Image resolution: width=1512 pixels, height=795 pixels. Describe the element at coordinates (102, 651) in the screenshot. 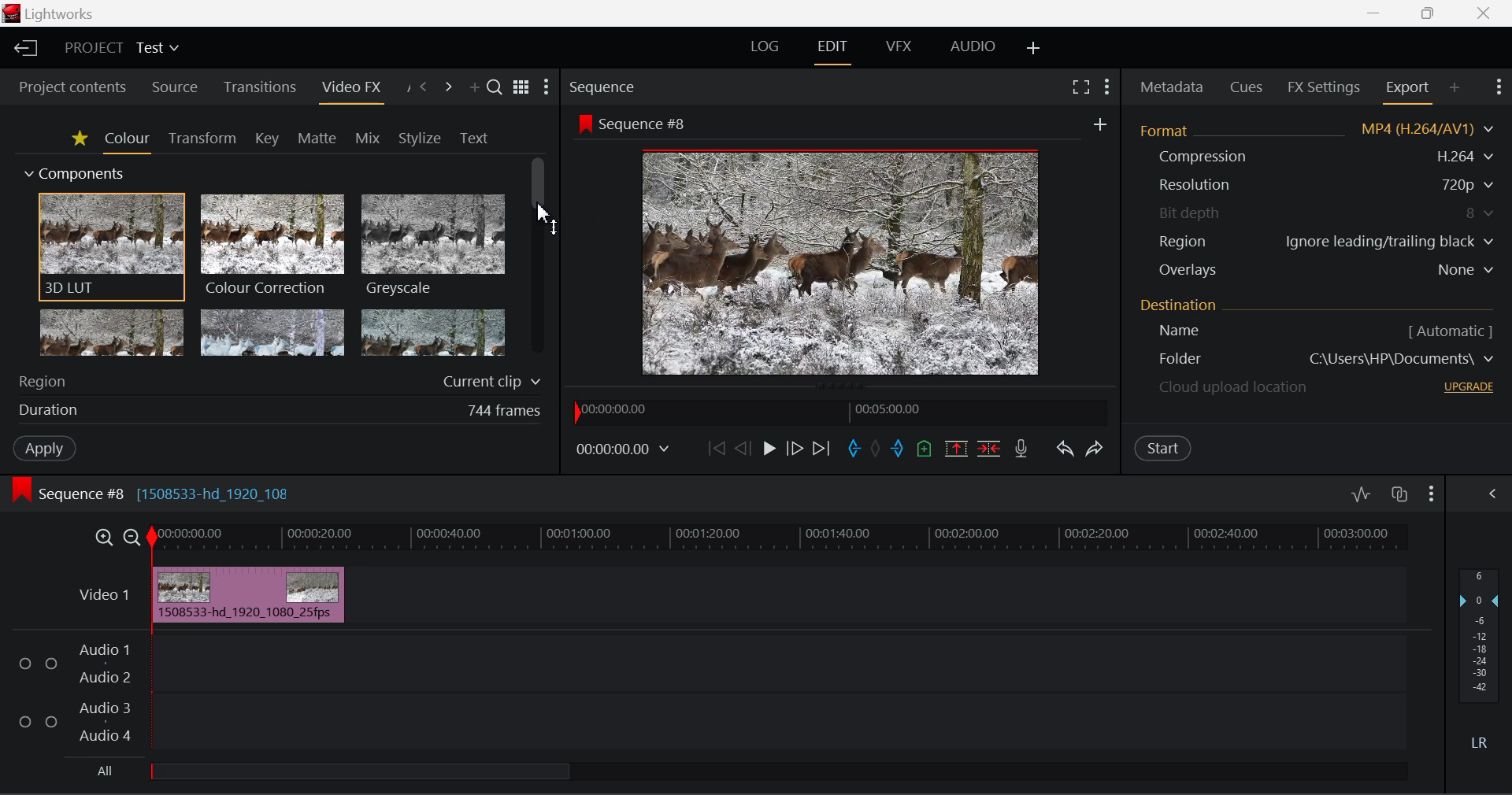

I see `Audio 1` at that location.